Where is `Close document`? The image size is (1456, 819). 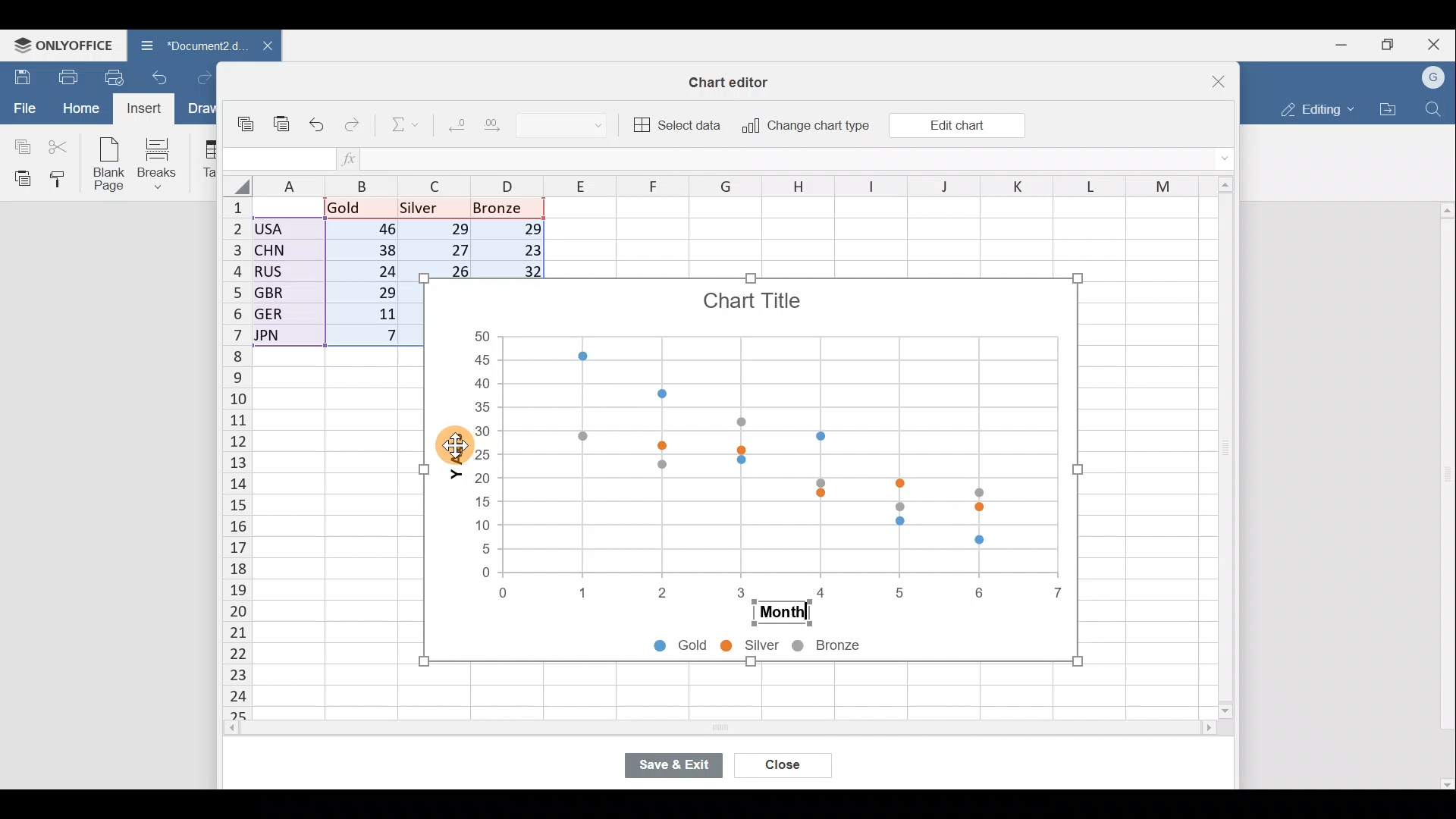 Close document is located at coordinates (259, 47).